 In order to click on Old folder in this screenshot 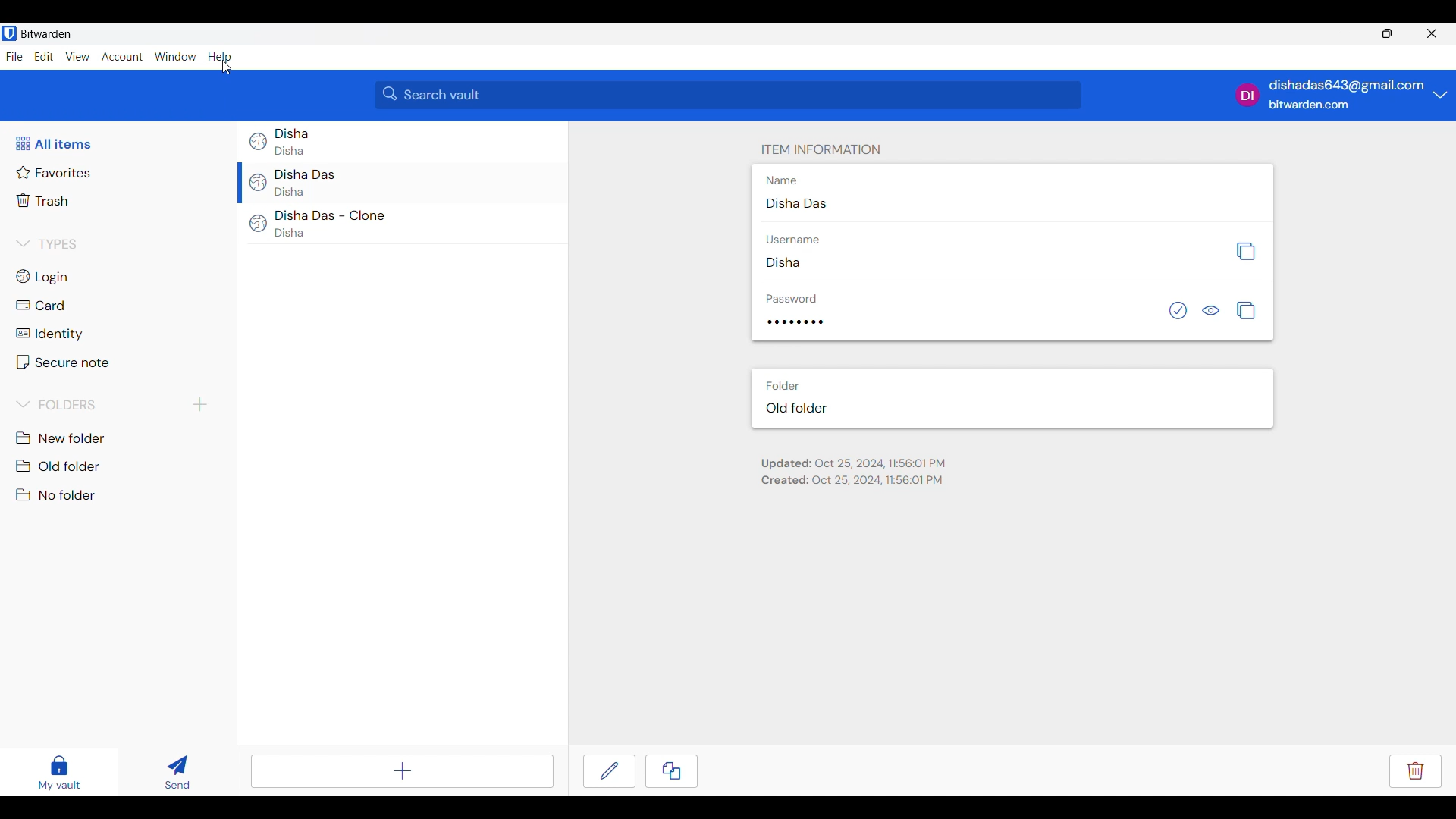, I will do `click(797, 408)`.